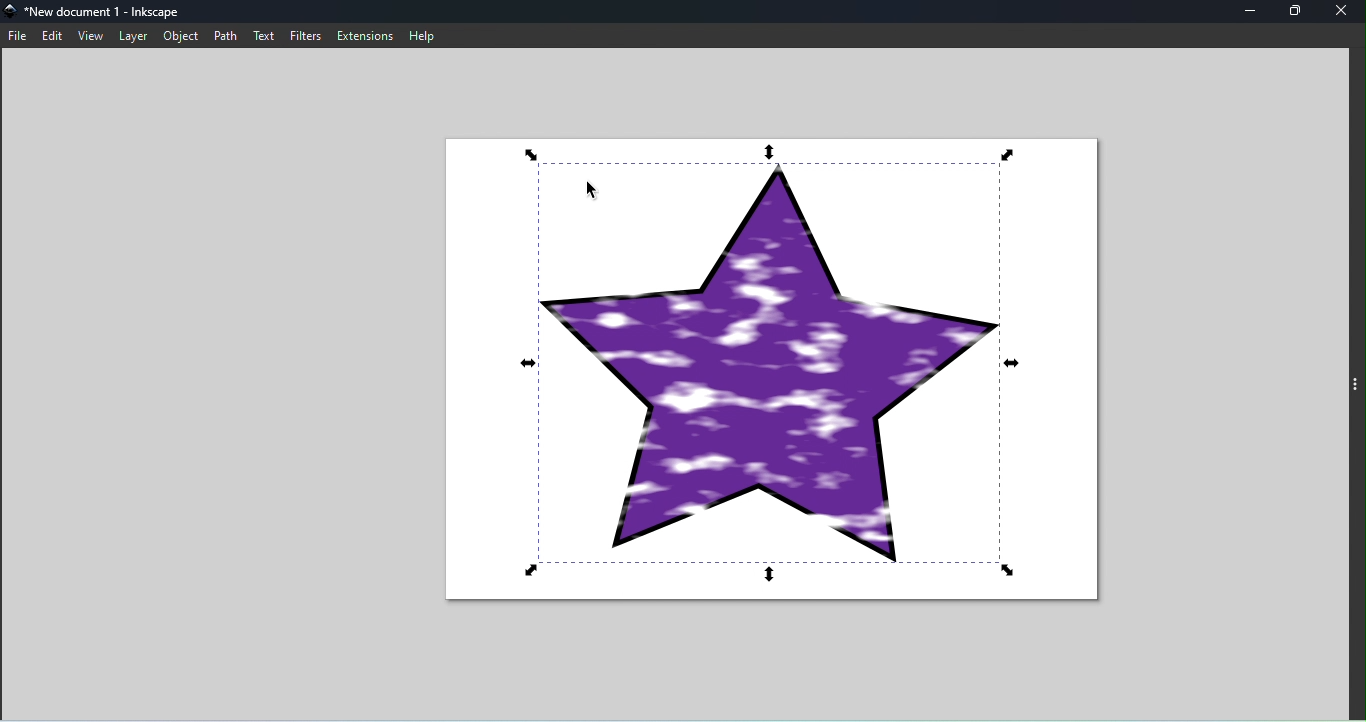 This screenshot has width=1366, height=722. What do you see at coordinates (225, 36) in the screenshot?
I see `path` at bounding box center [225, 36].